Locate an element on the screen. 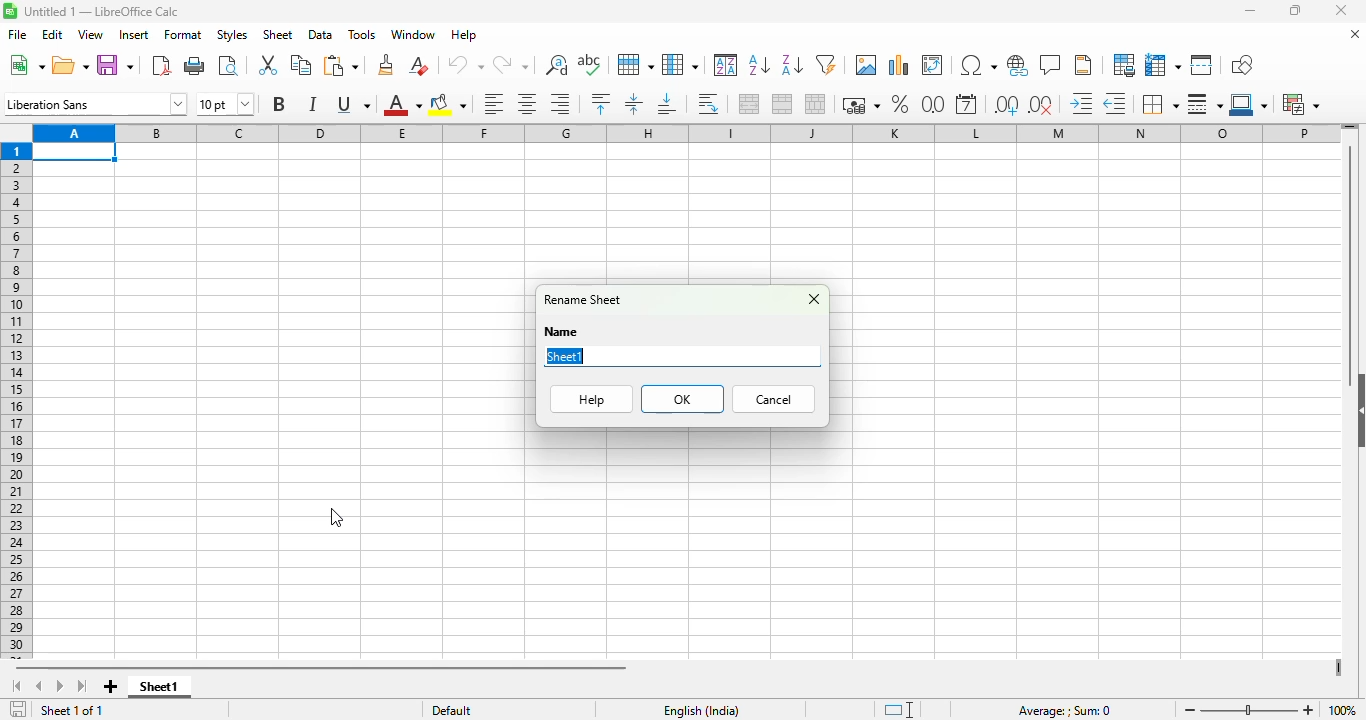  Zoom slider is located at coordinates (1249, 711).